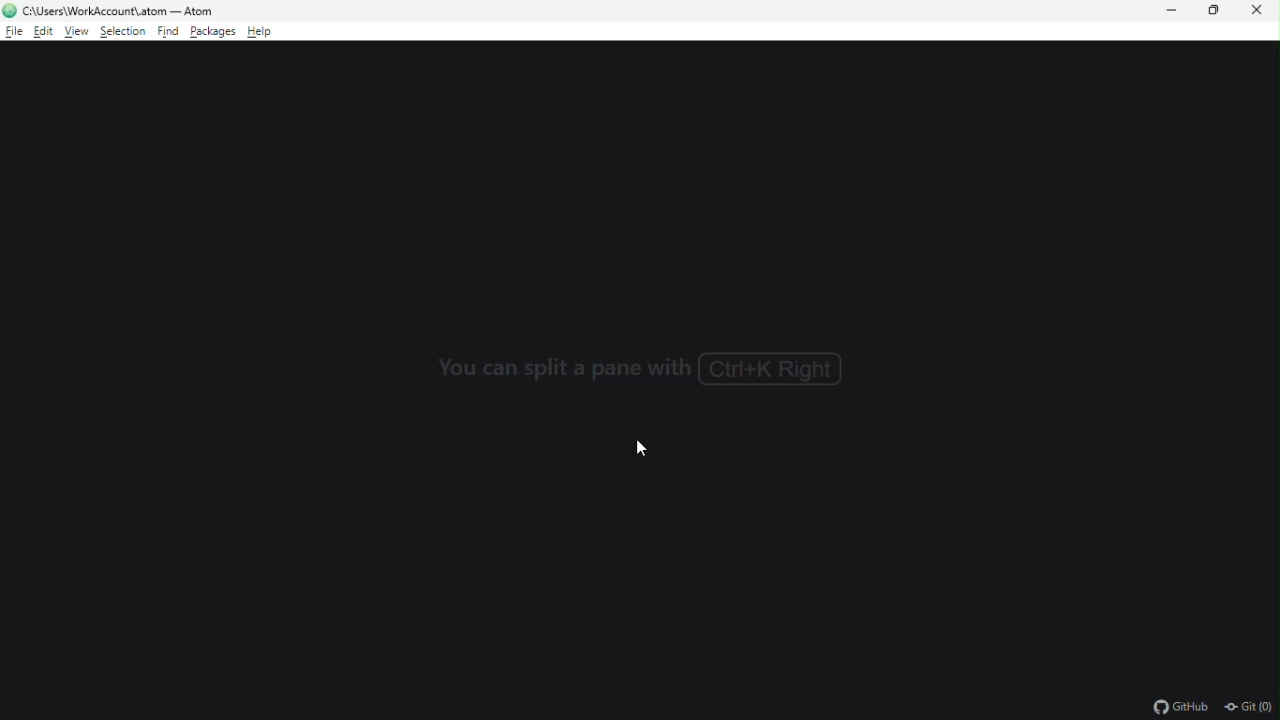  Describe the element at coordinates (116, 10) in the screenshot. I see `file name and file path` at that location.